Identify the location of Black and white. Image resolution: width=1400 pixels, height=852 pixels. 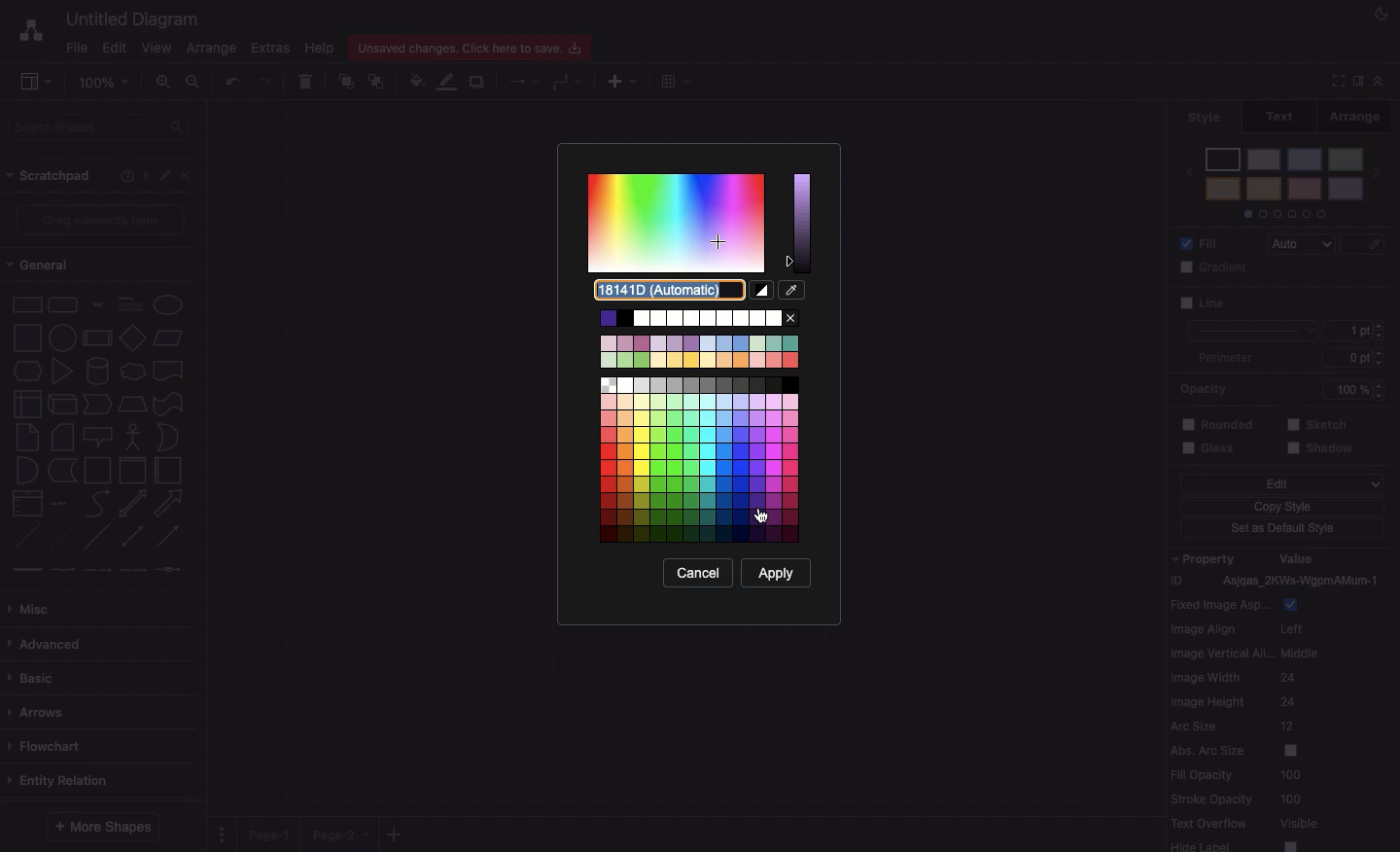
(761, 290).